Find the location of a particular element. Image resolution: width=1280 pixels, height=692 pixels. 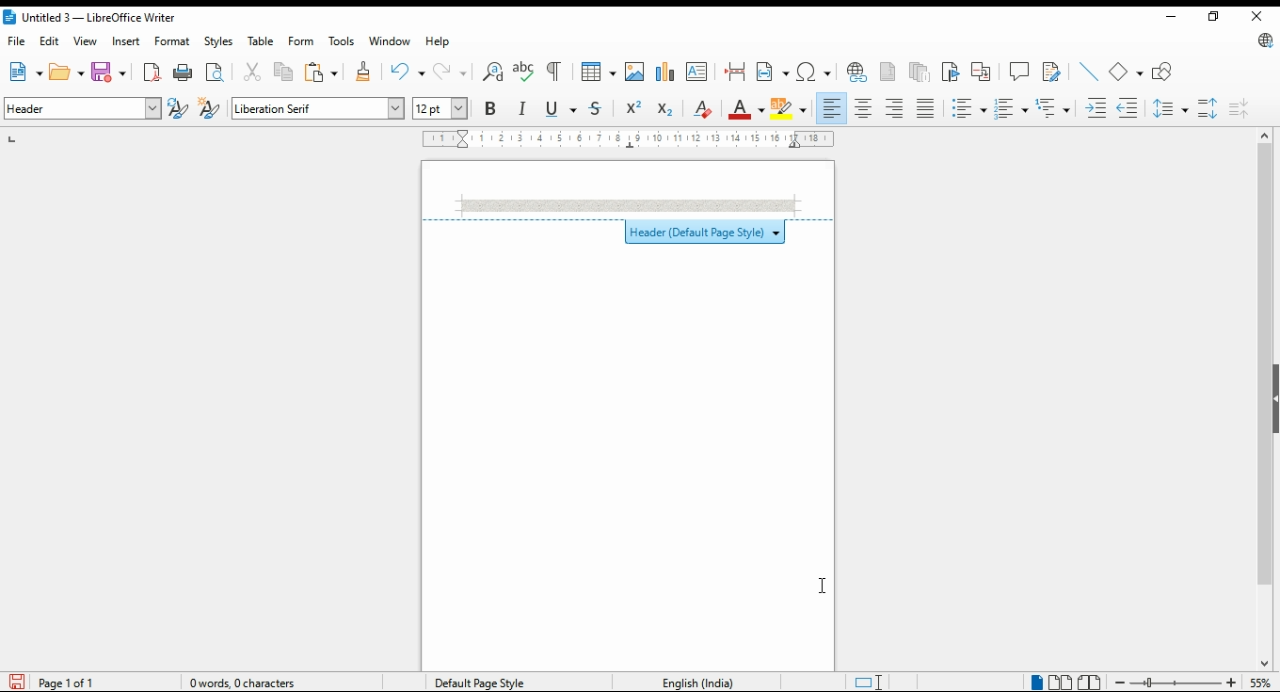

insert bookmark is located at coordinates (952, 72).